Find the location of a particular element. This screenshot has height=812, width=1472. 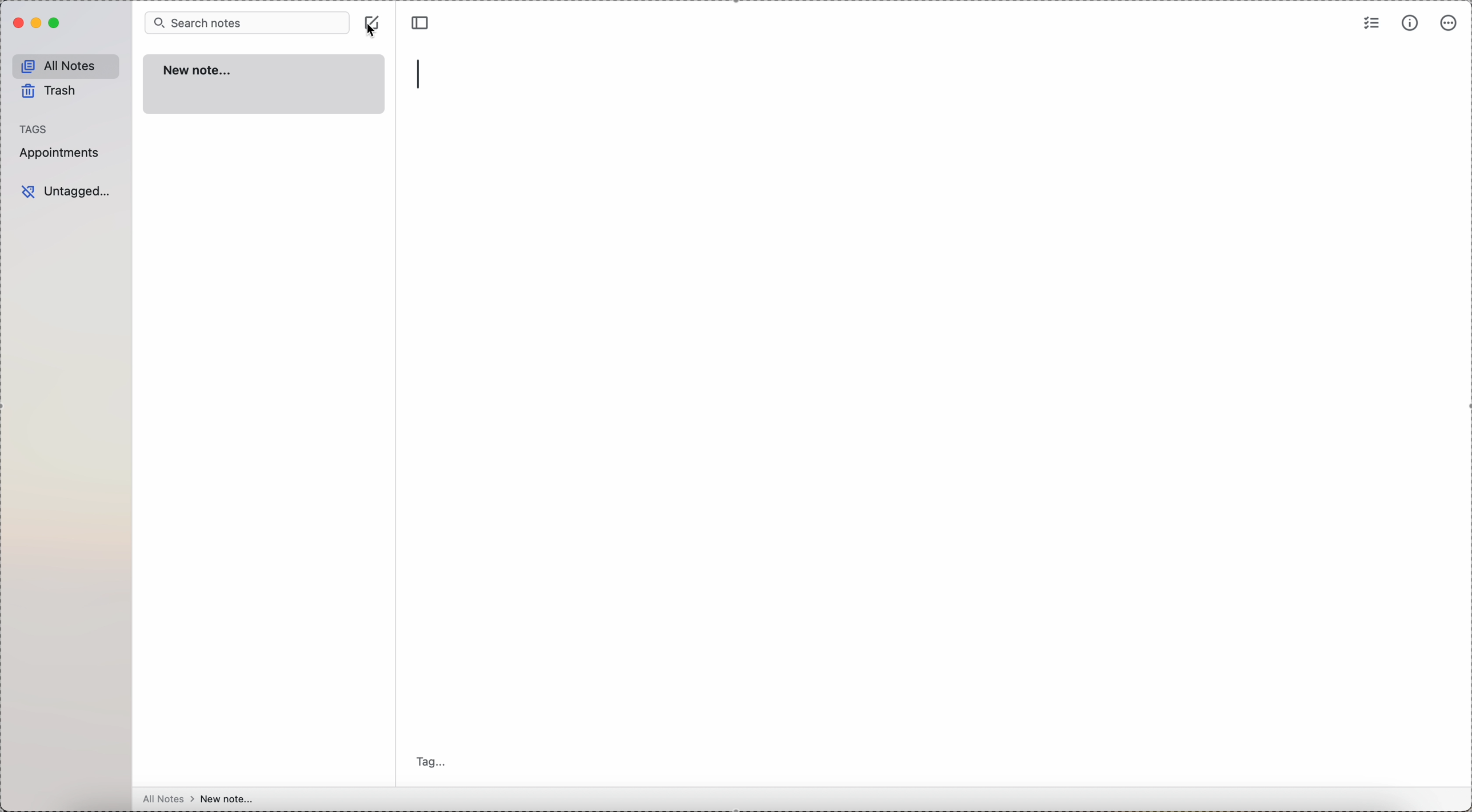

trash is located at coordinates (51, 93).